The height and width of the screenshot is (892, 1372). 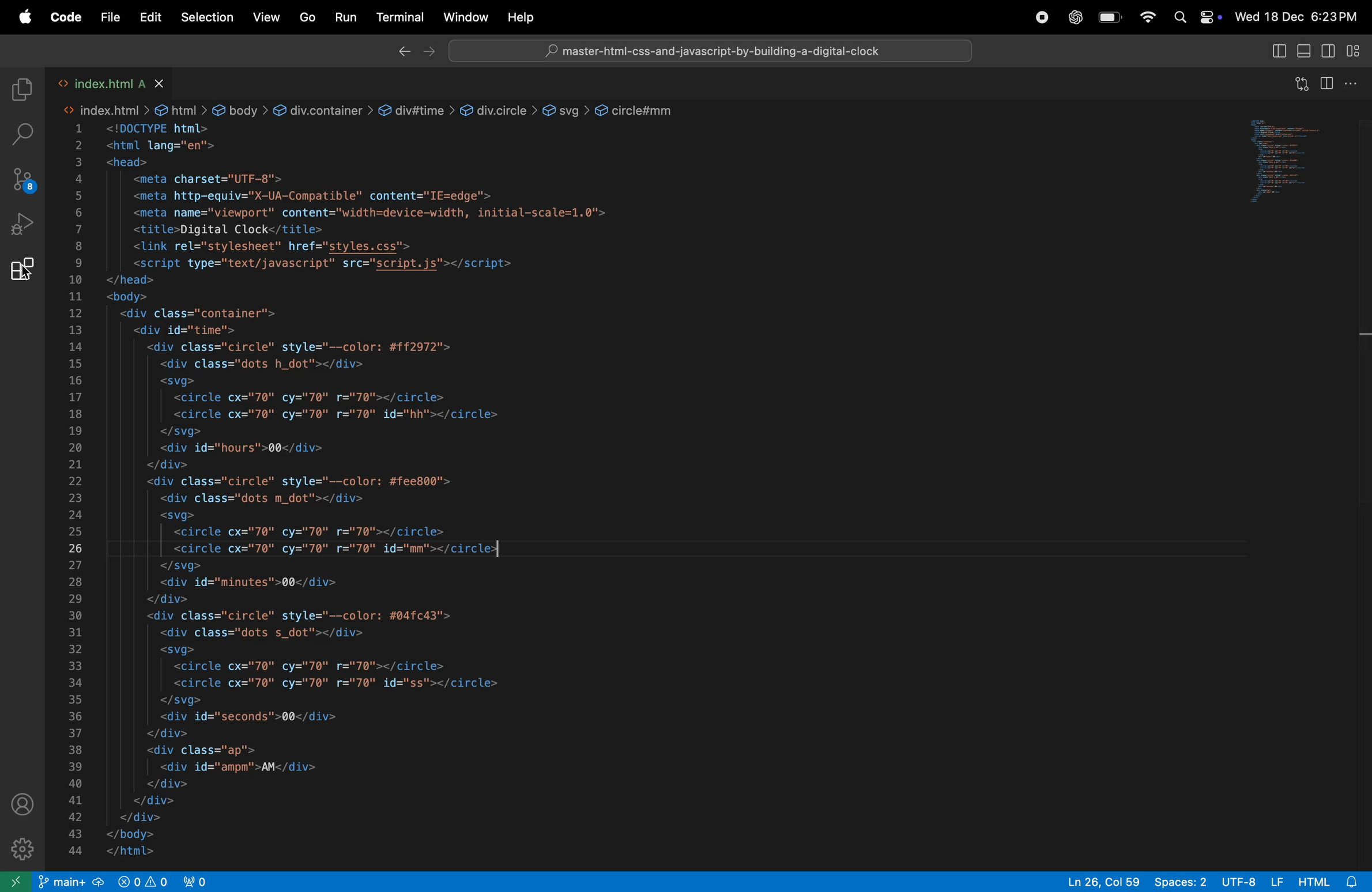 I want to click on help, so click(x=525, y=17).